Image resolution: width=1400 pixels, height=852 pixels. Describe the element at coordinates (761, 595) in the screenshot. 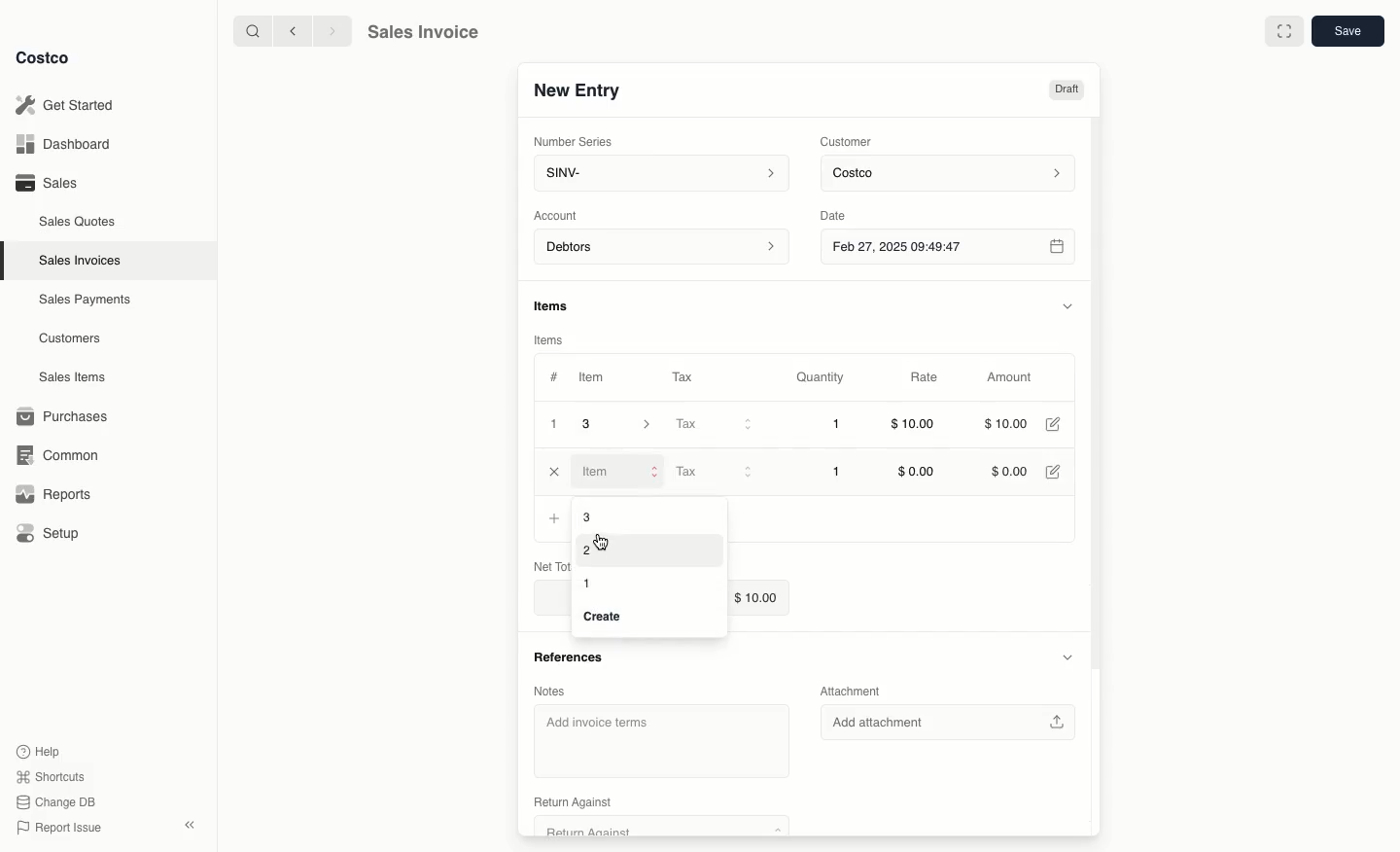

I see `$10.00` at that location.